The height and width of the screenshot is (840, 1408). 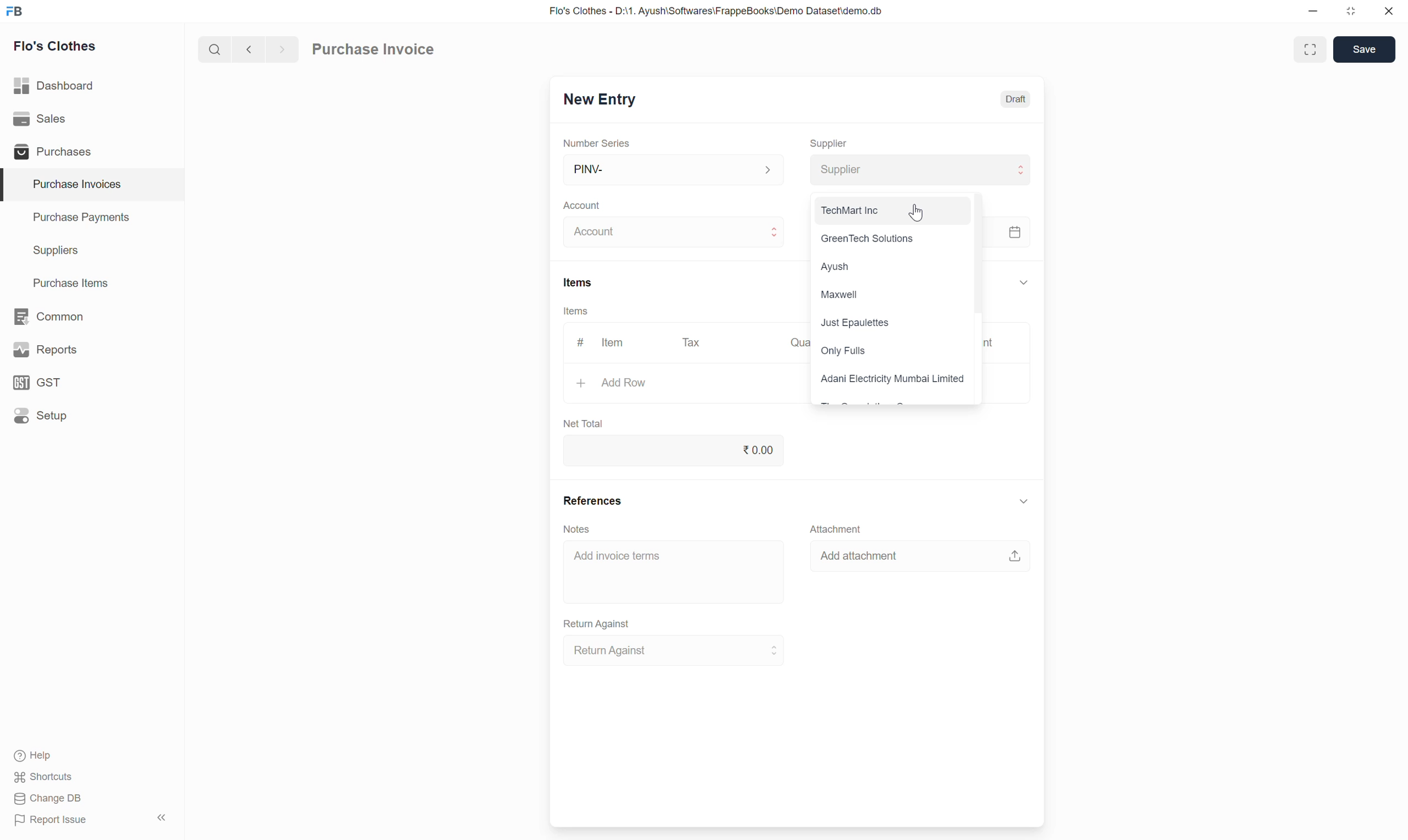 What do you see at coordinates (601, 100) in the screenshot?
I see `New Entry` at bounding box center [601, 100].